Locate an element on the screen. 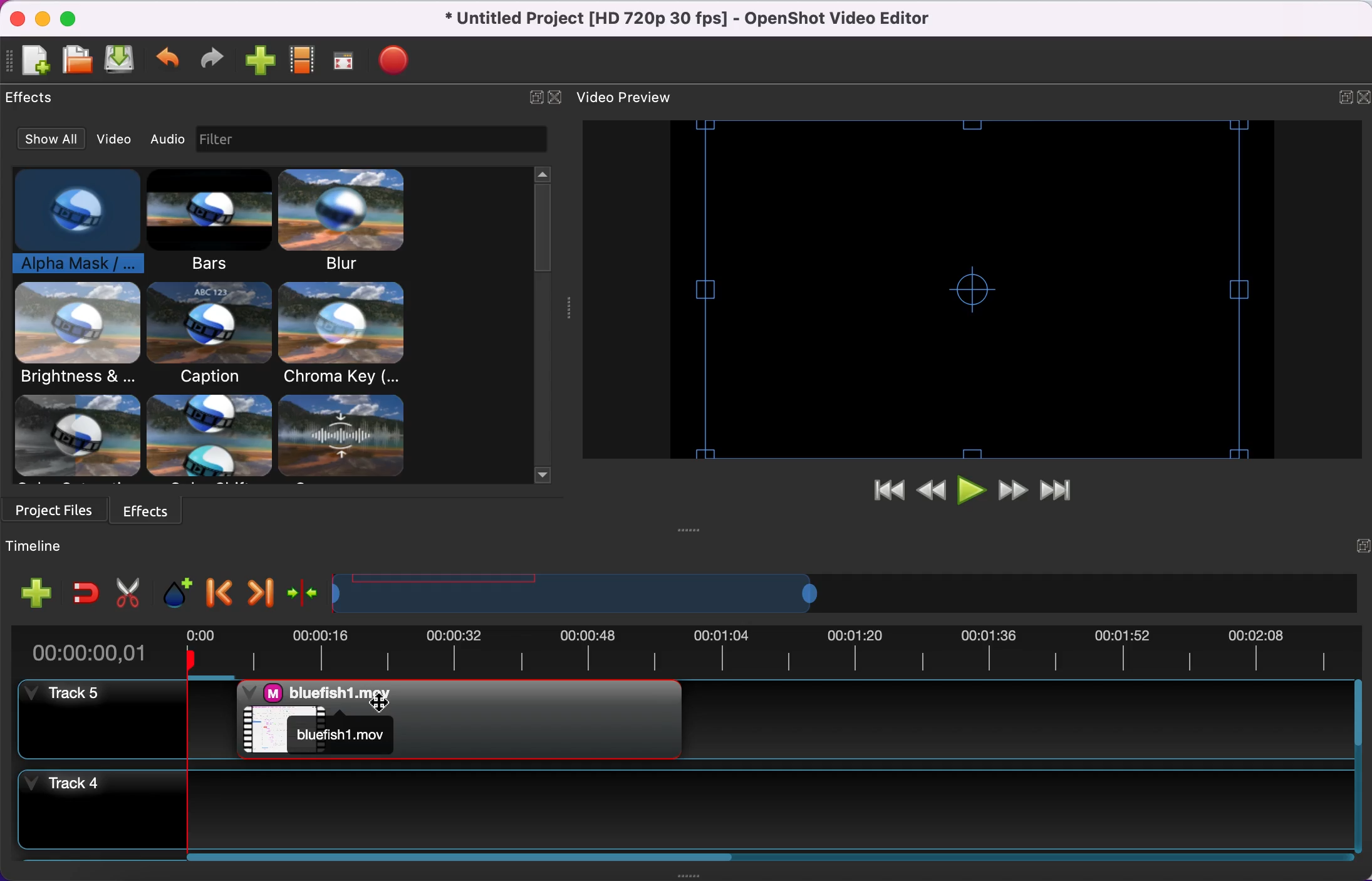  jump to end is located at coordinates (1063, 489).